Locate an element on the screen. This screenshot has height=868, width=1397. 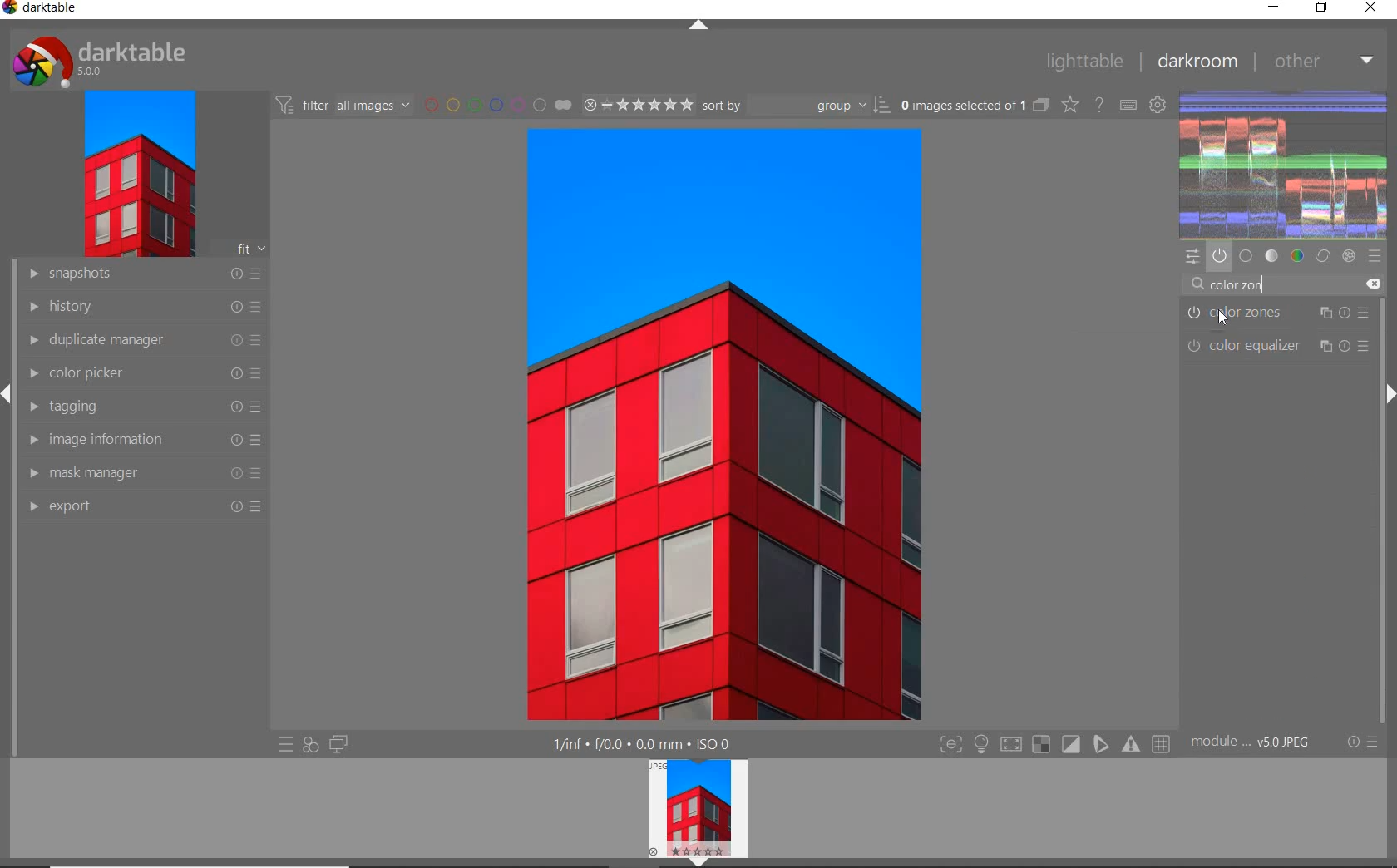
focus is located at coordinates (950, 745).